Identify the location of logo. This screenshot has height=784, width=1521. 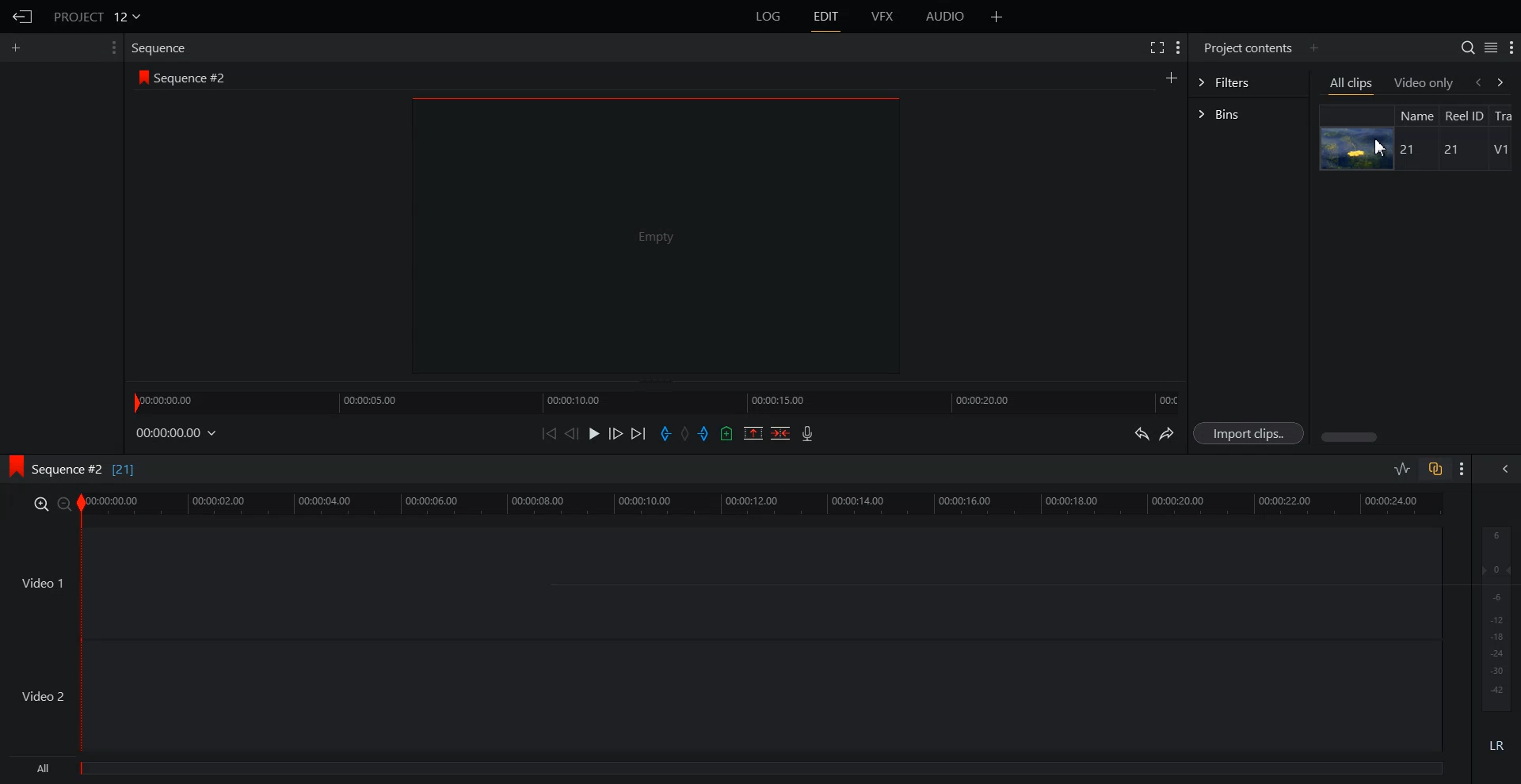
(13, 468).